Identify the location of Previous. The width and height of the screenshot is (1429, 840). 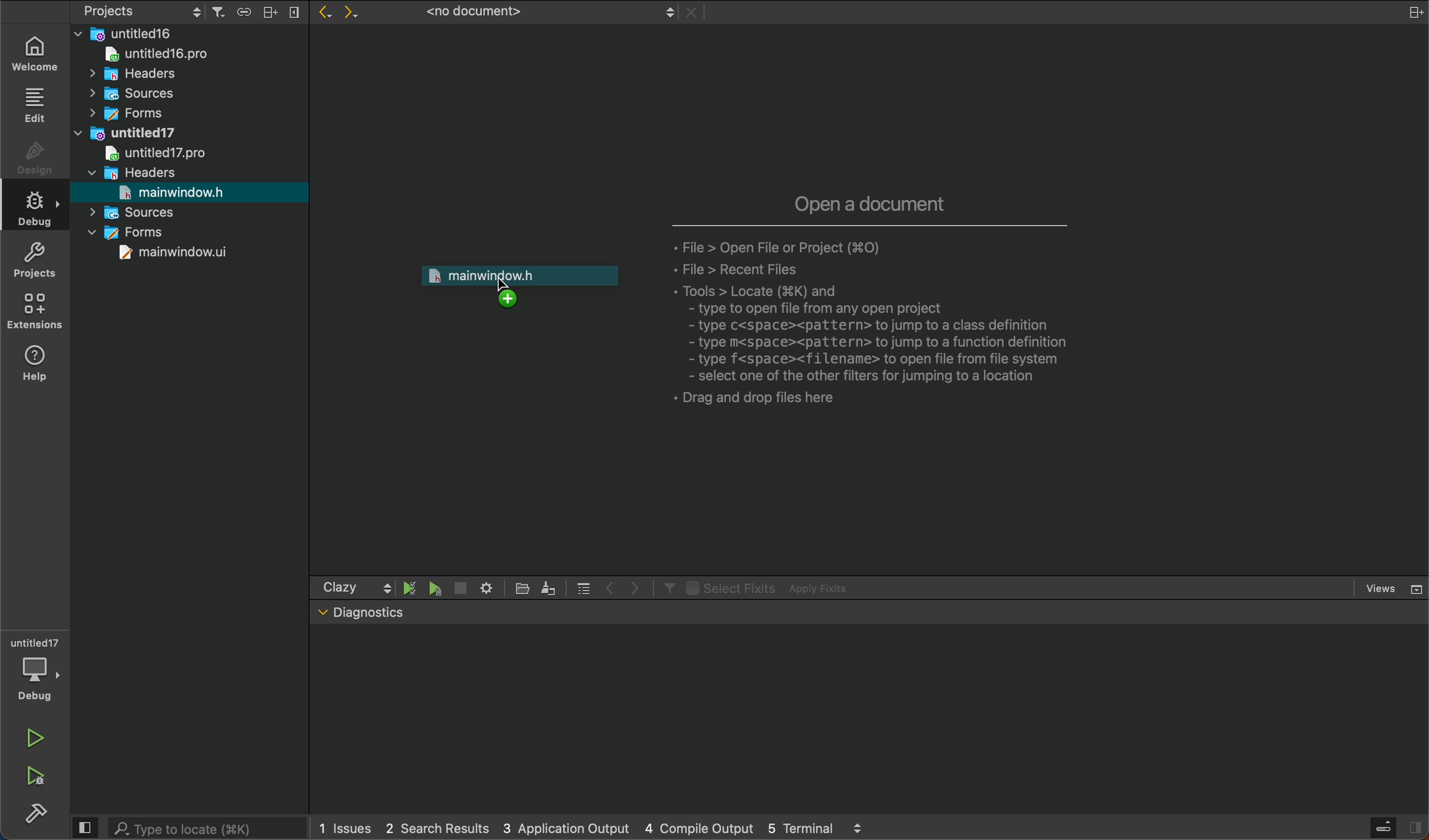
(611, 586).